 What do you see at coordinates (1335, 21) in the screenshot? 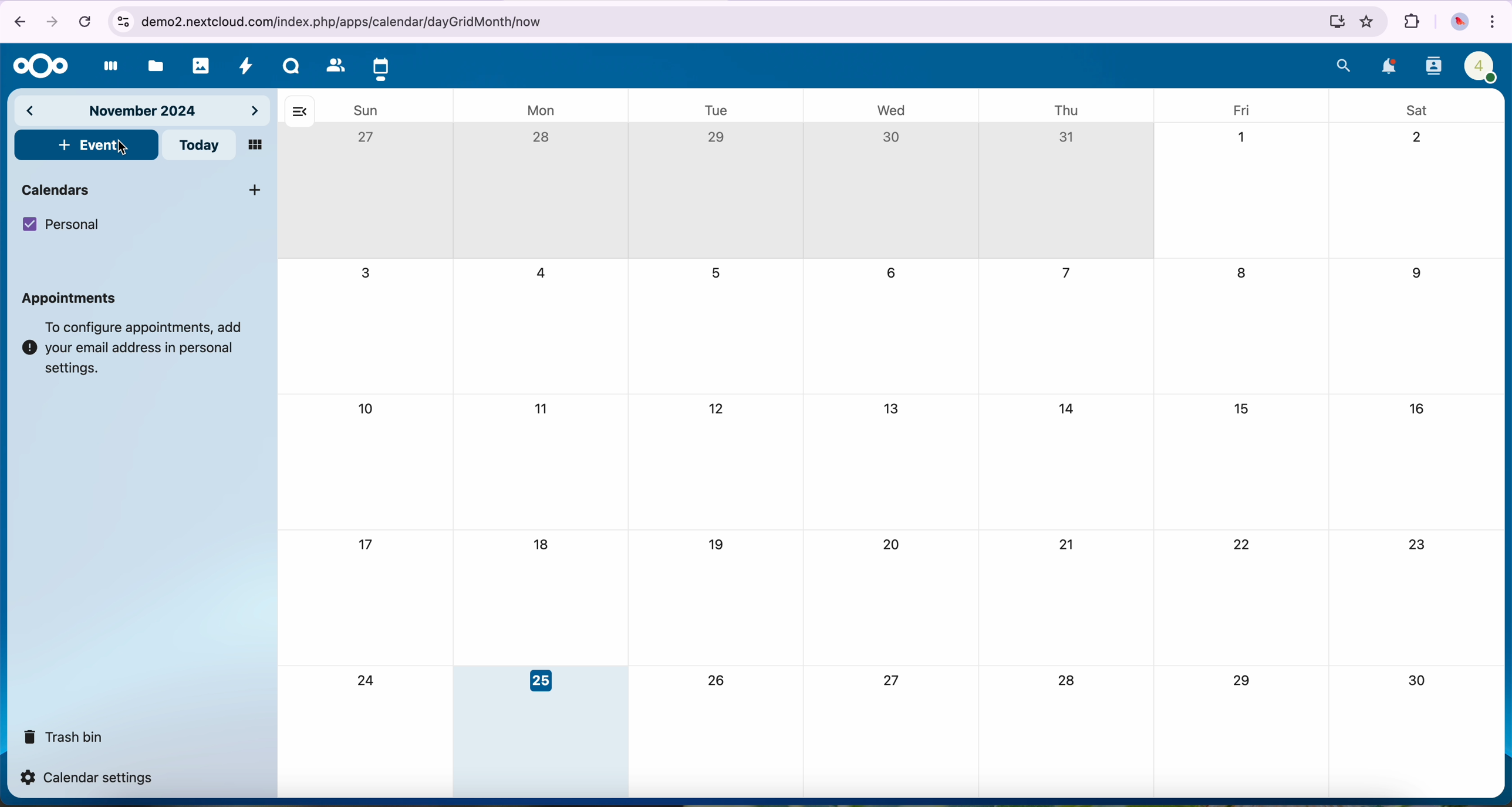
I see `install Nextcloud` at bounding box center [1335, 21].